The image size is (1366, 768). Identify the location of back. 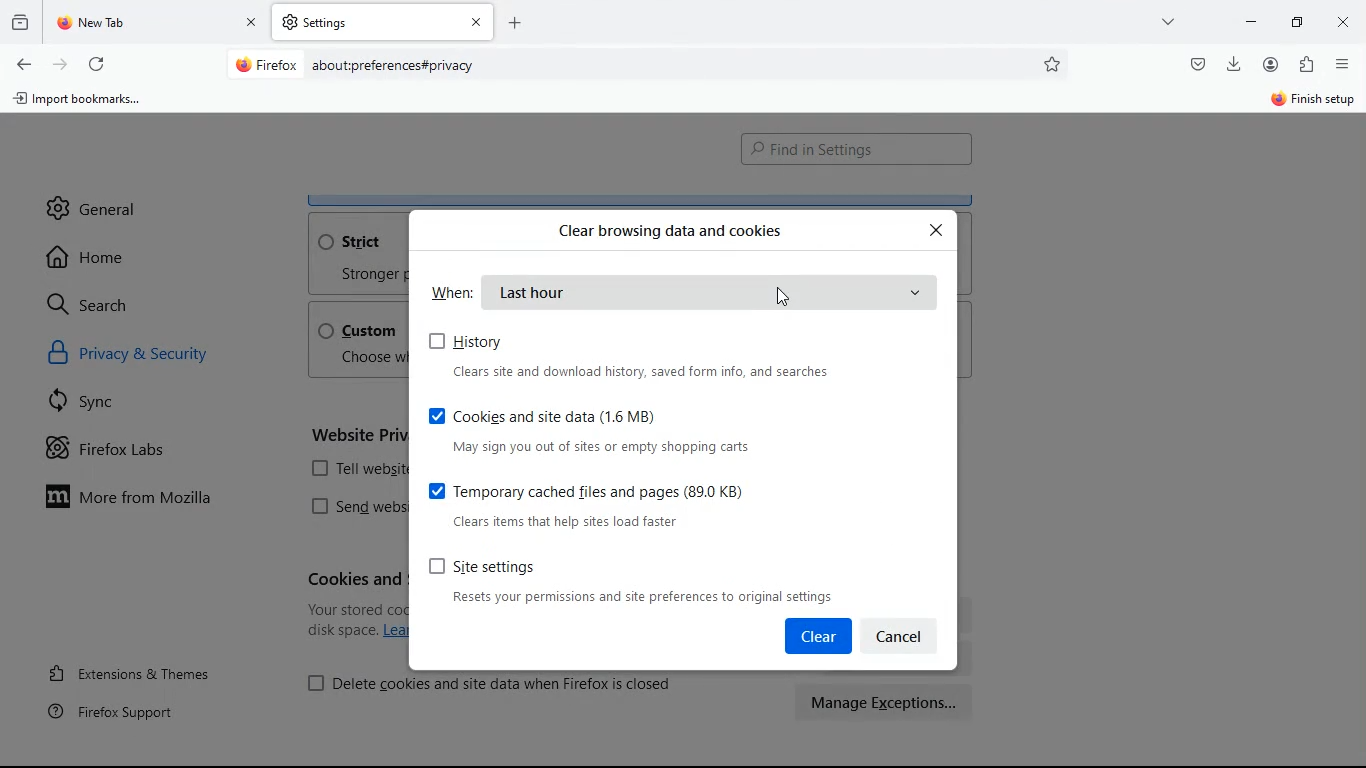
(22, 65).